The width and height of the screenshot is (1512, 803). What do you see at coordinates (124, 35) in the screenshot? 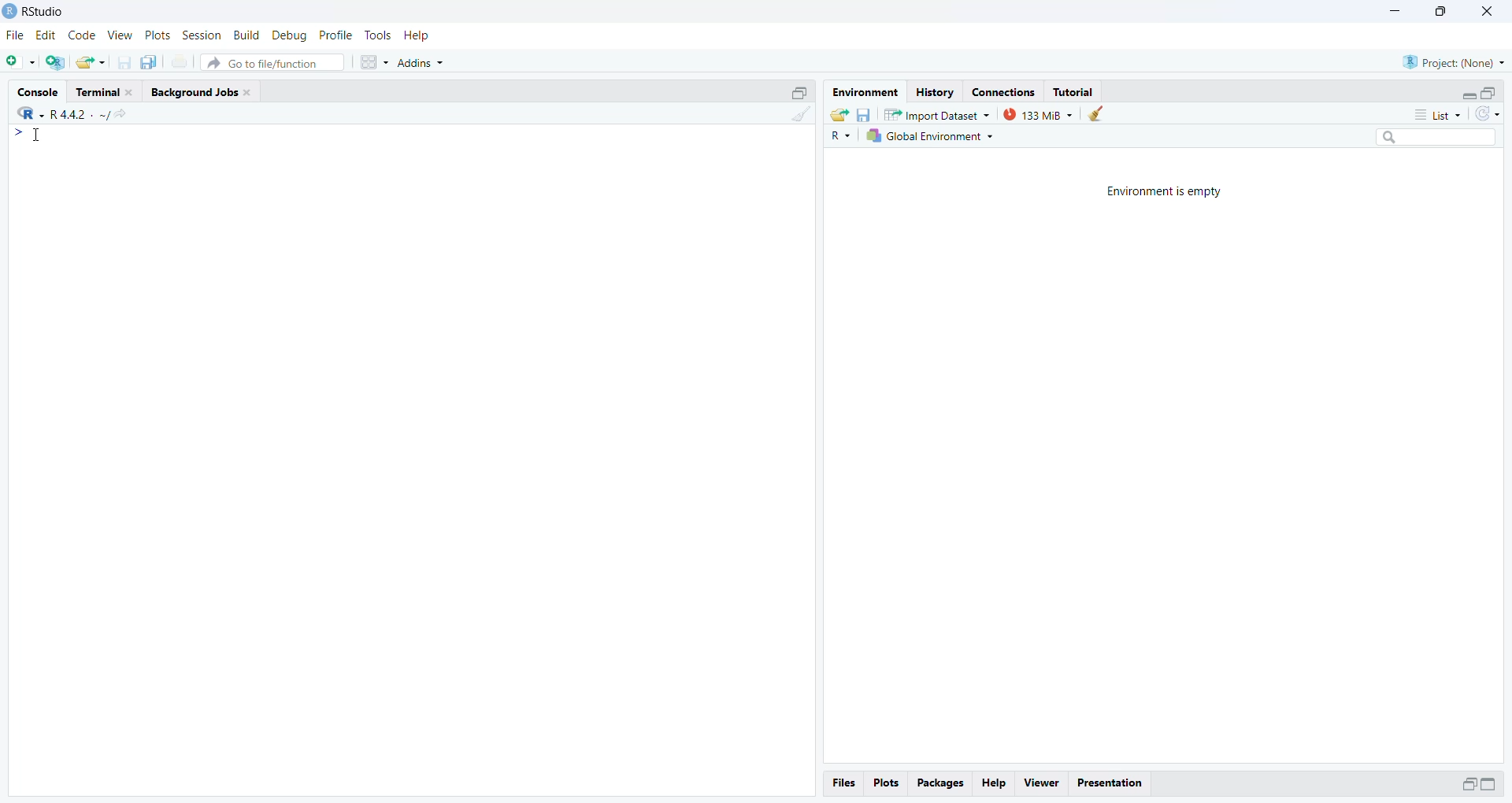
I see `view` at bounding box center [124, 35].